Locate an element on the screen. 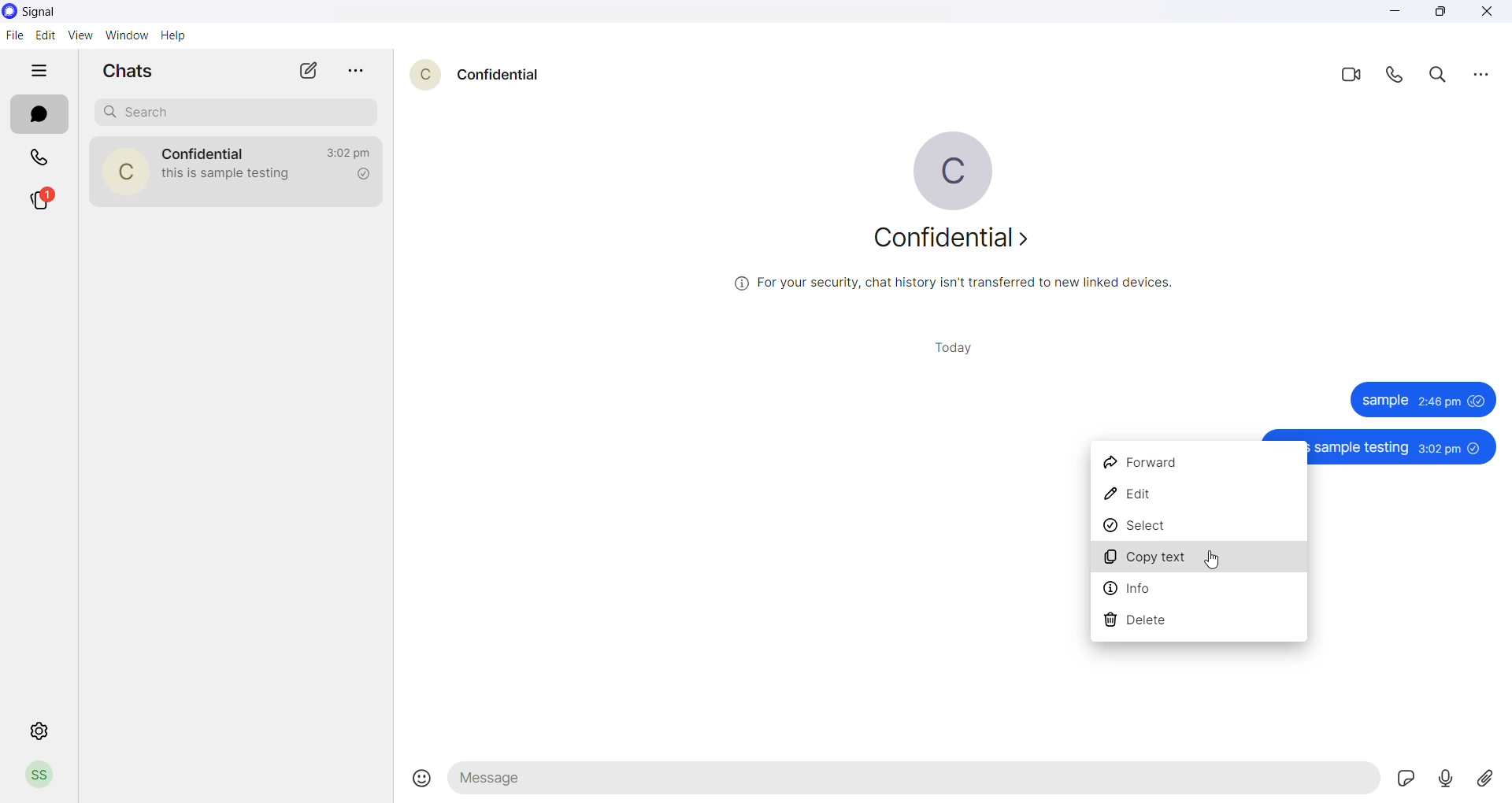 The width and height of the screenshot is (1512, 803). settings  is located at coordinates (40, 730).